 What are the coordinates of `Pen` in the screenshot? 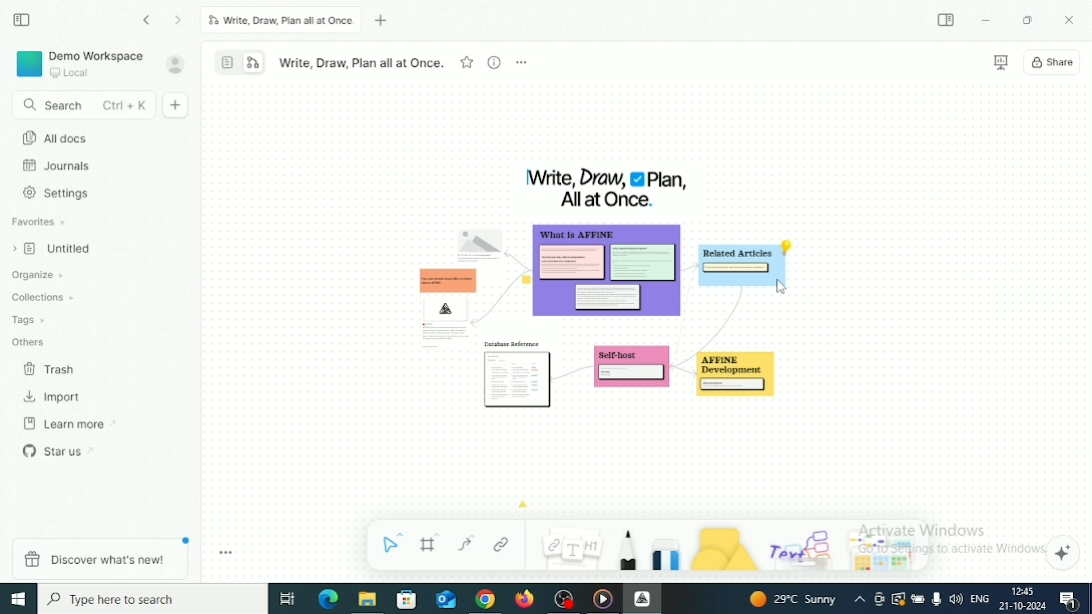 It's located at (627, 550).